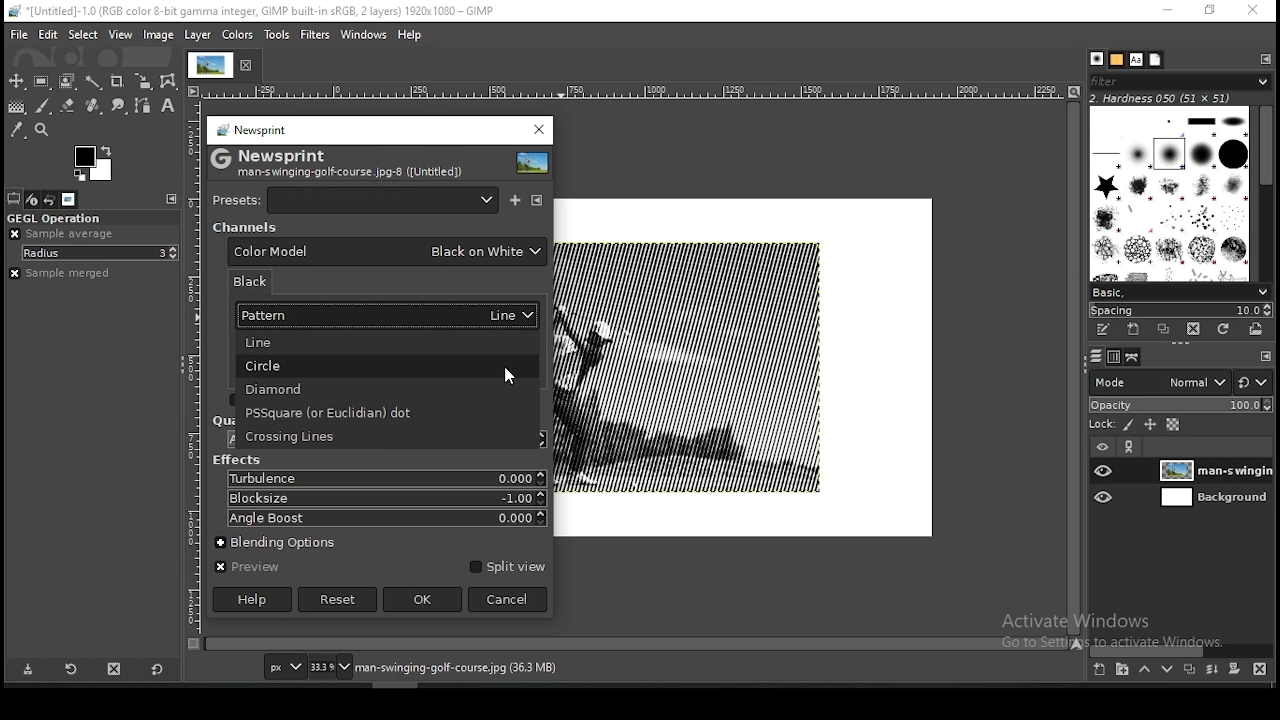 This screenshot has height=720, width=1280. What do you see at coordinates (537, 199) in the screenshot?
I see `manage presets` at bounding box center [537, 199].